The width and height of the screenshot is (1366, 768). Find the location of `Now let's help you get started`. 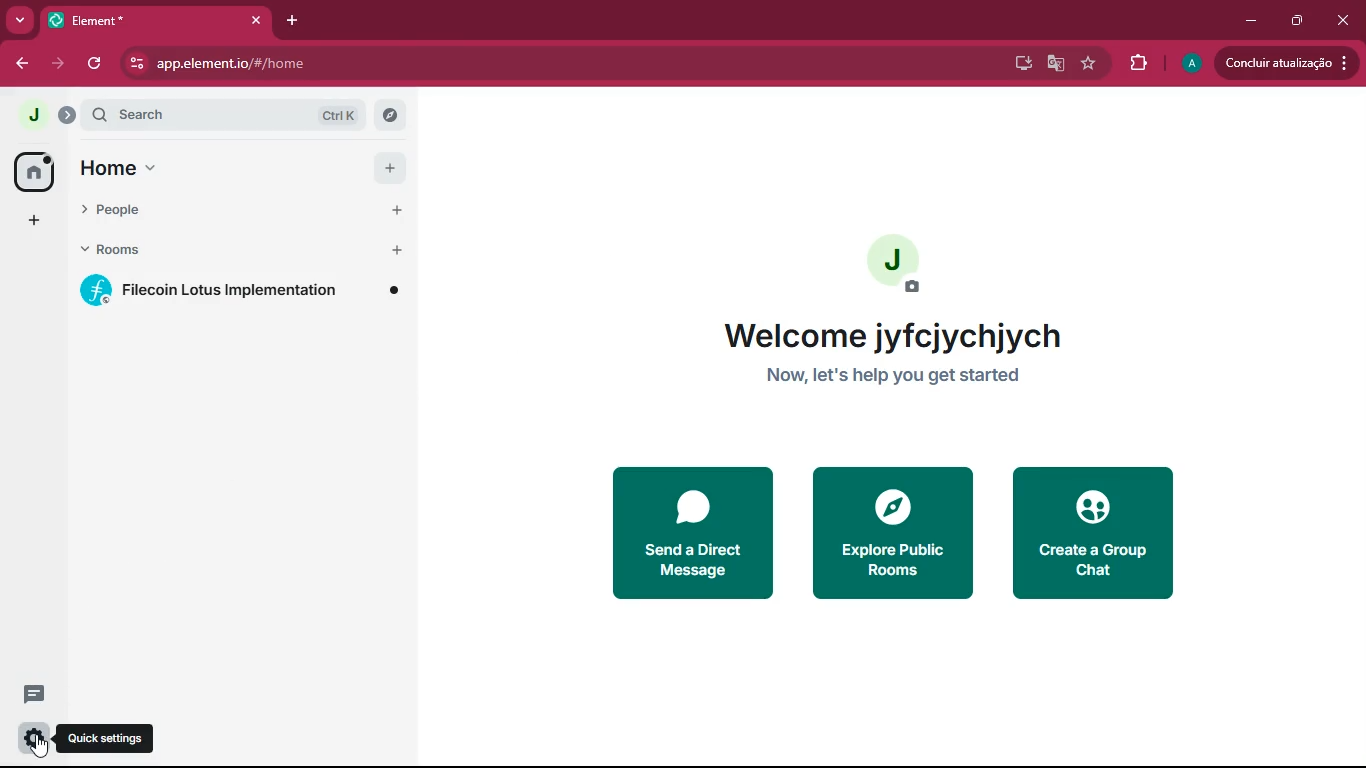

Now let's help you get started is located at coordinates (896, 374).